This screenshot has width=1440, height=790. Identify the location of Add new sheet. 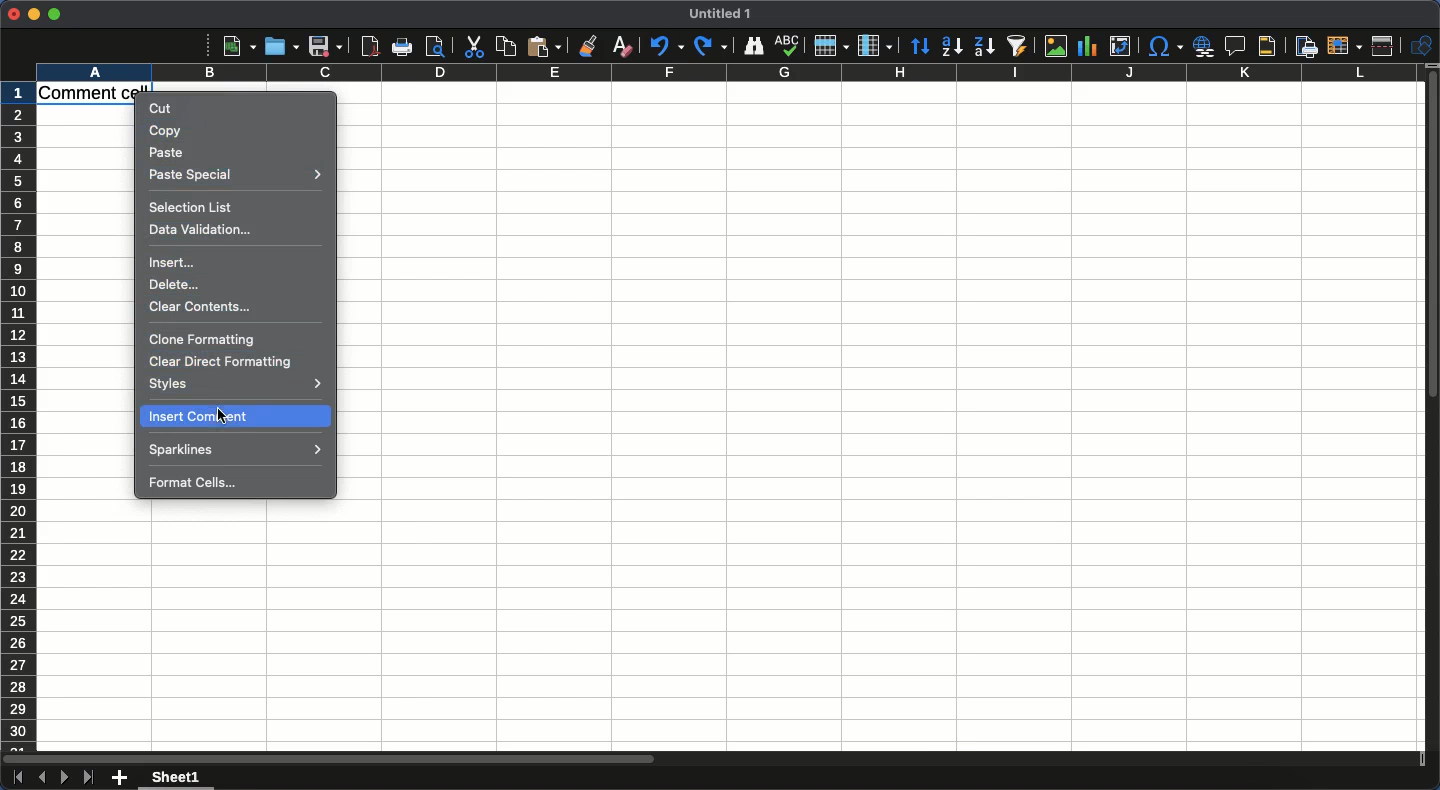
(118, 778).